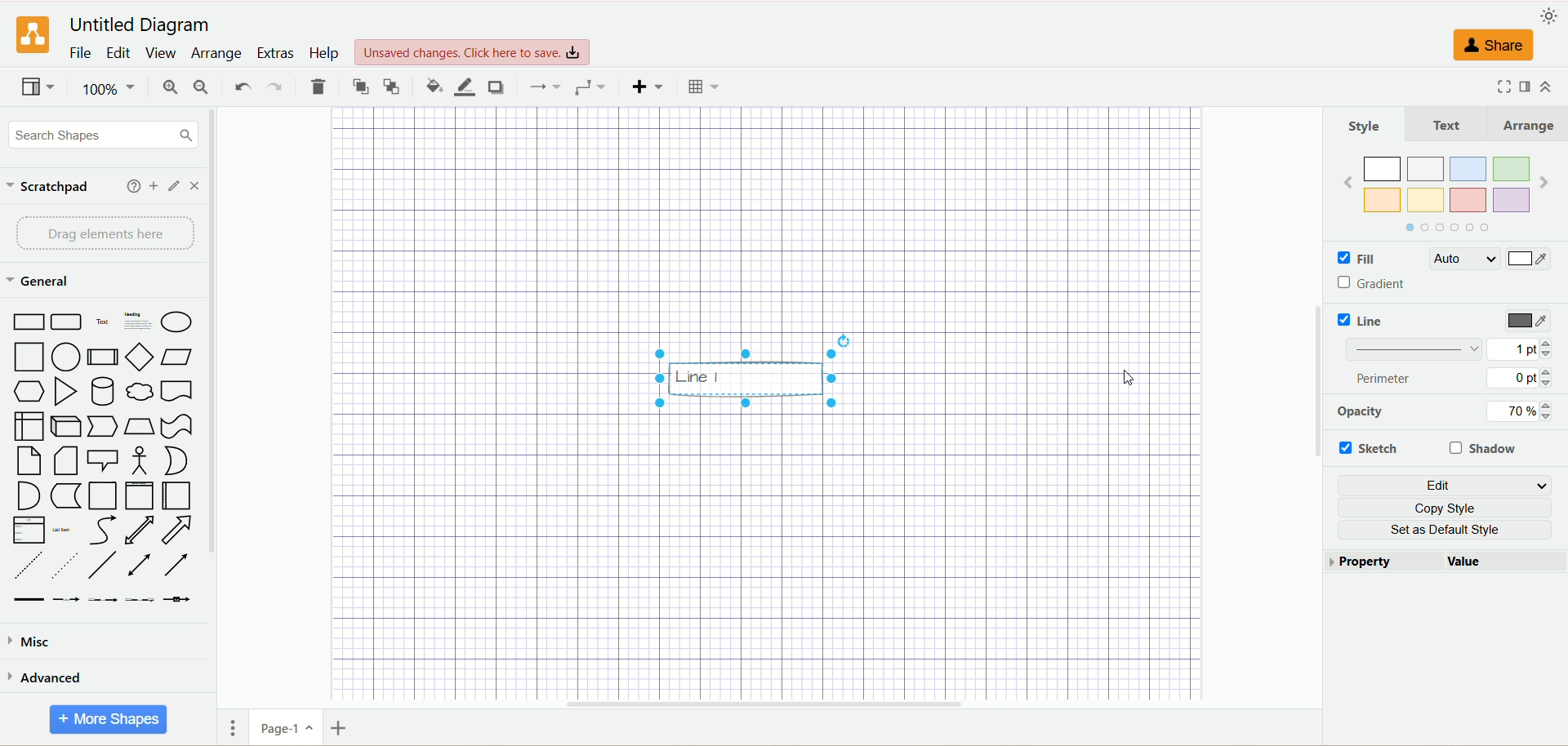 This screenshot has width=1568, height=746. I want to click on Colors, so click(1446, 195).